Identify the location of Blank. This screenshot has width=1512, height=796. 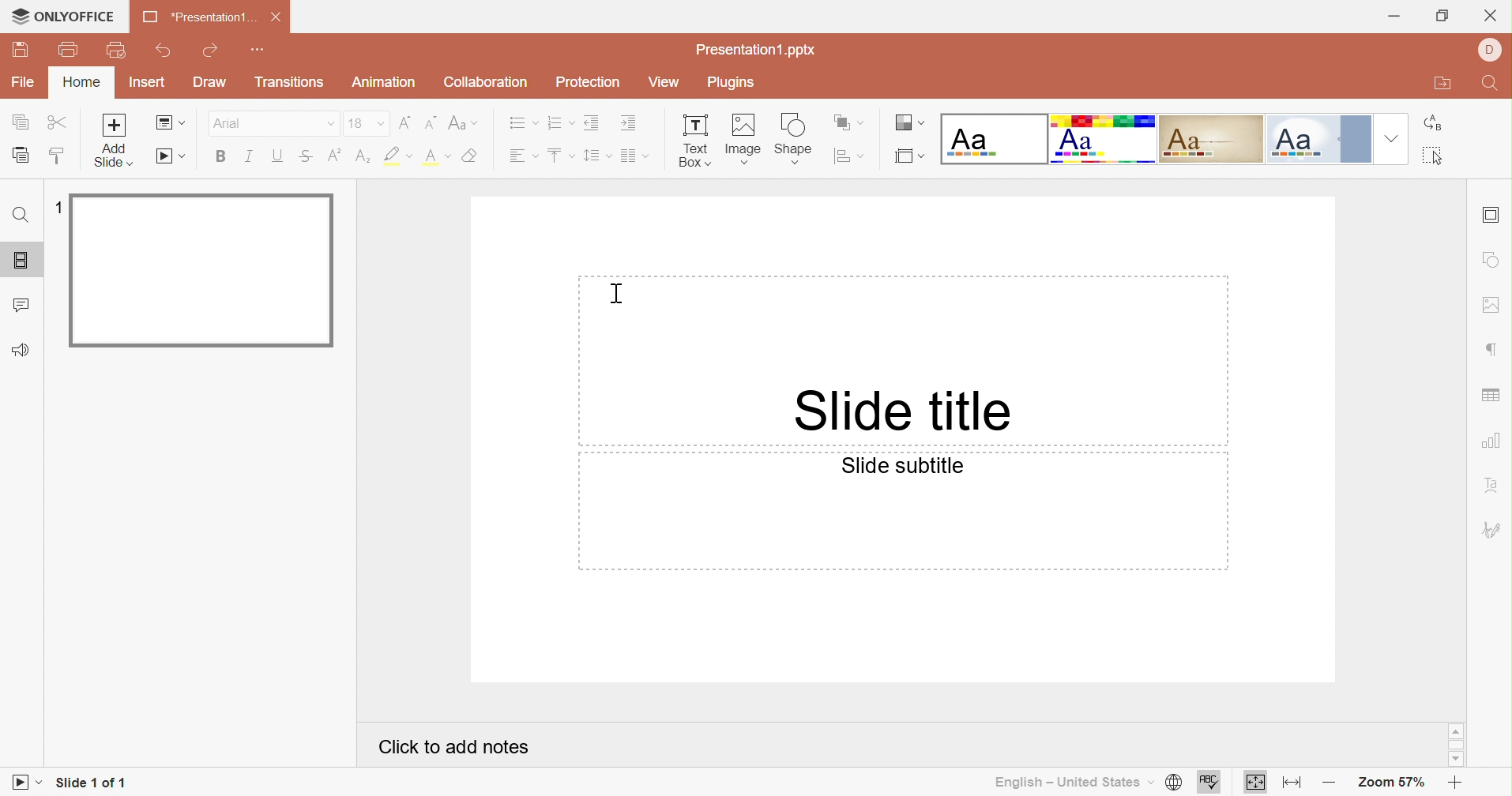
(995, 139).